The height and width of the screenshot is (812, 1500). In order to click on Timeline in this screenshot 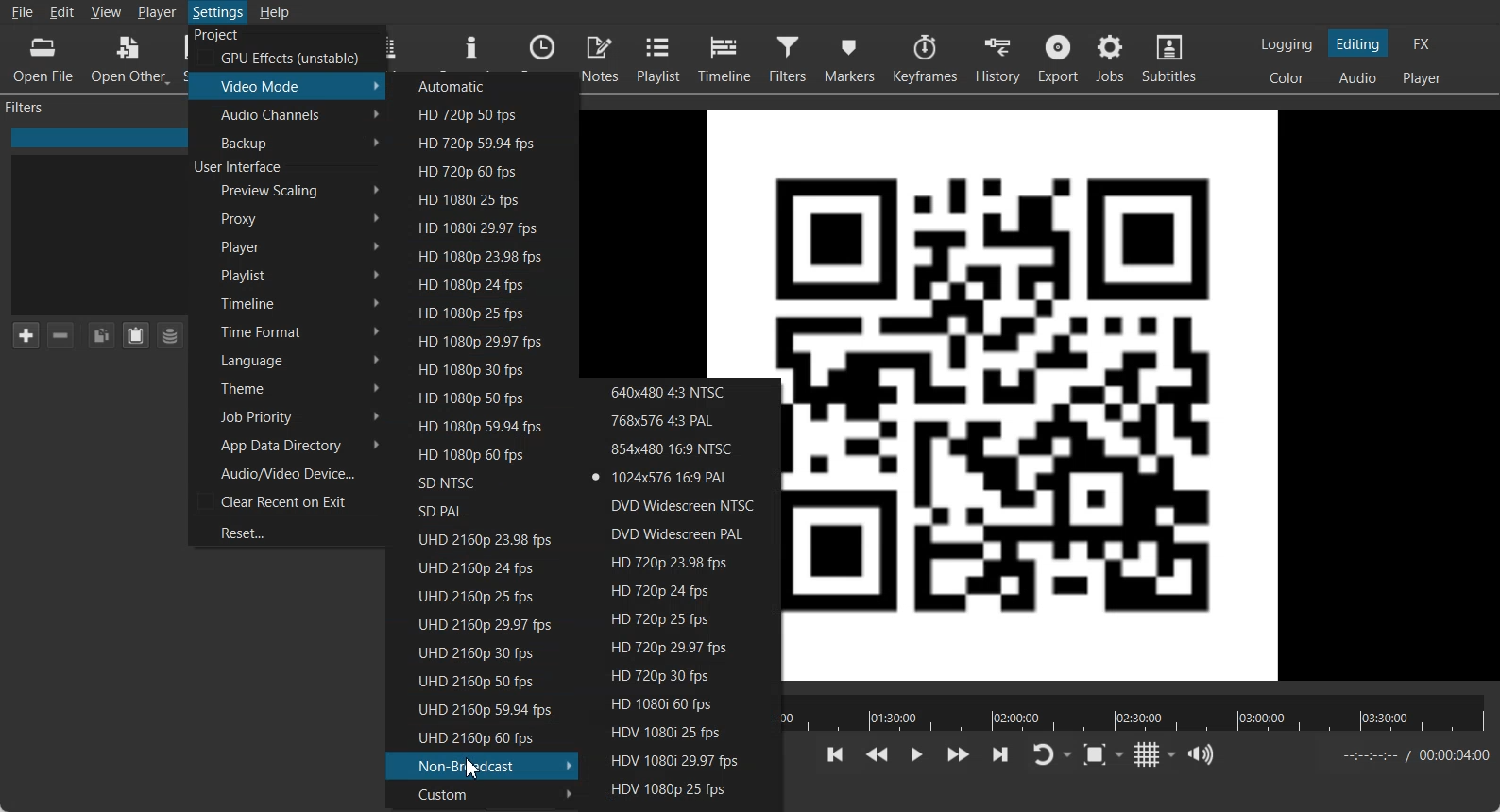, I will do `click(724, 59)`.